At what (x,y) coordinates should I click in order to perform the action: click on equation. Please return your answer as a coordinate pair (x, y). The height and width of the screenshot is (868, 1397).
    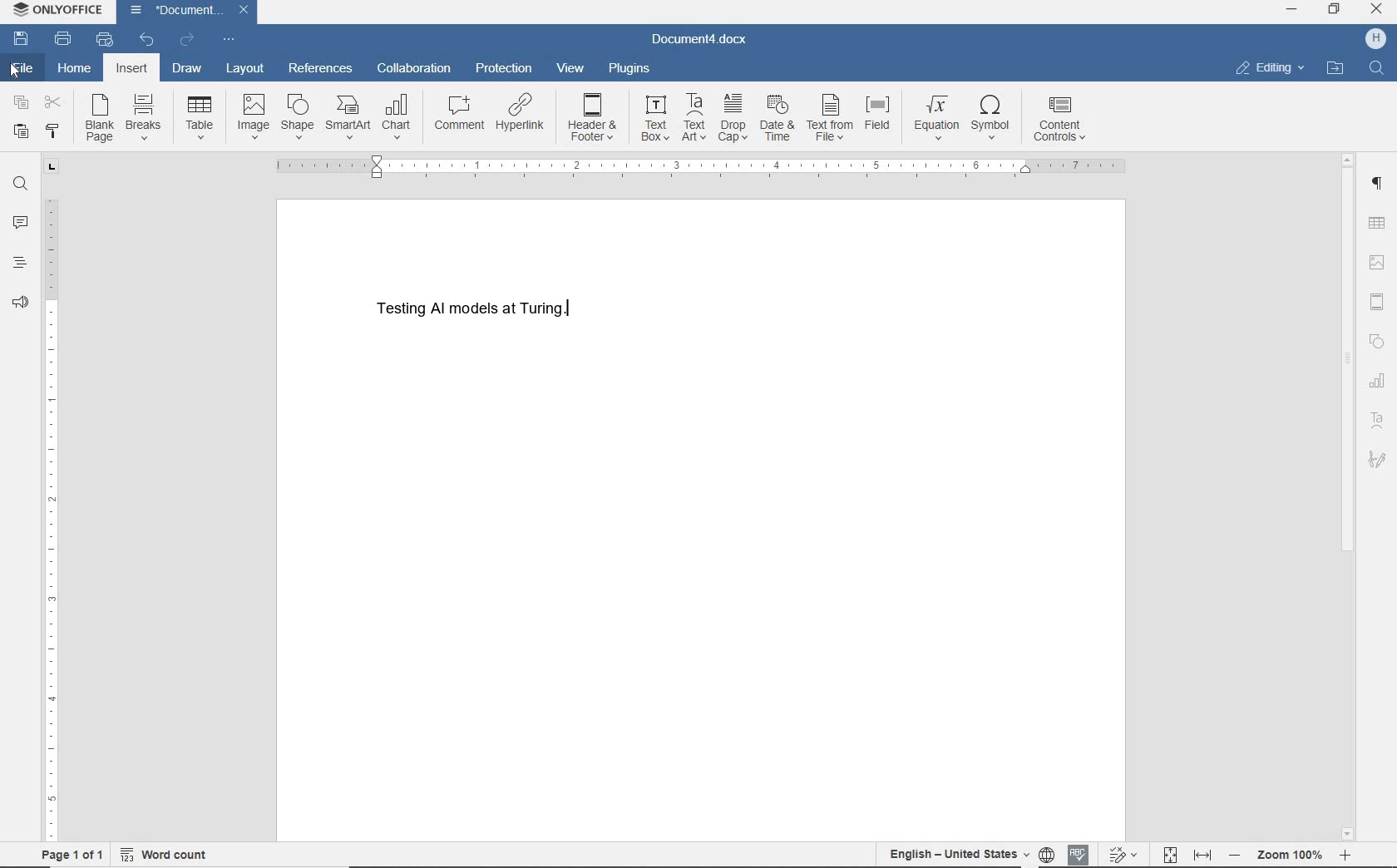
    Looking at the image, I should click on (938, 116).